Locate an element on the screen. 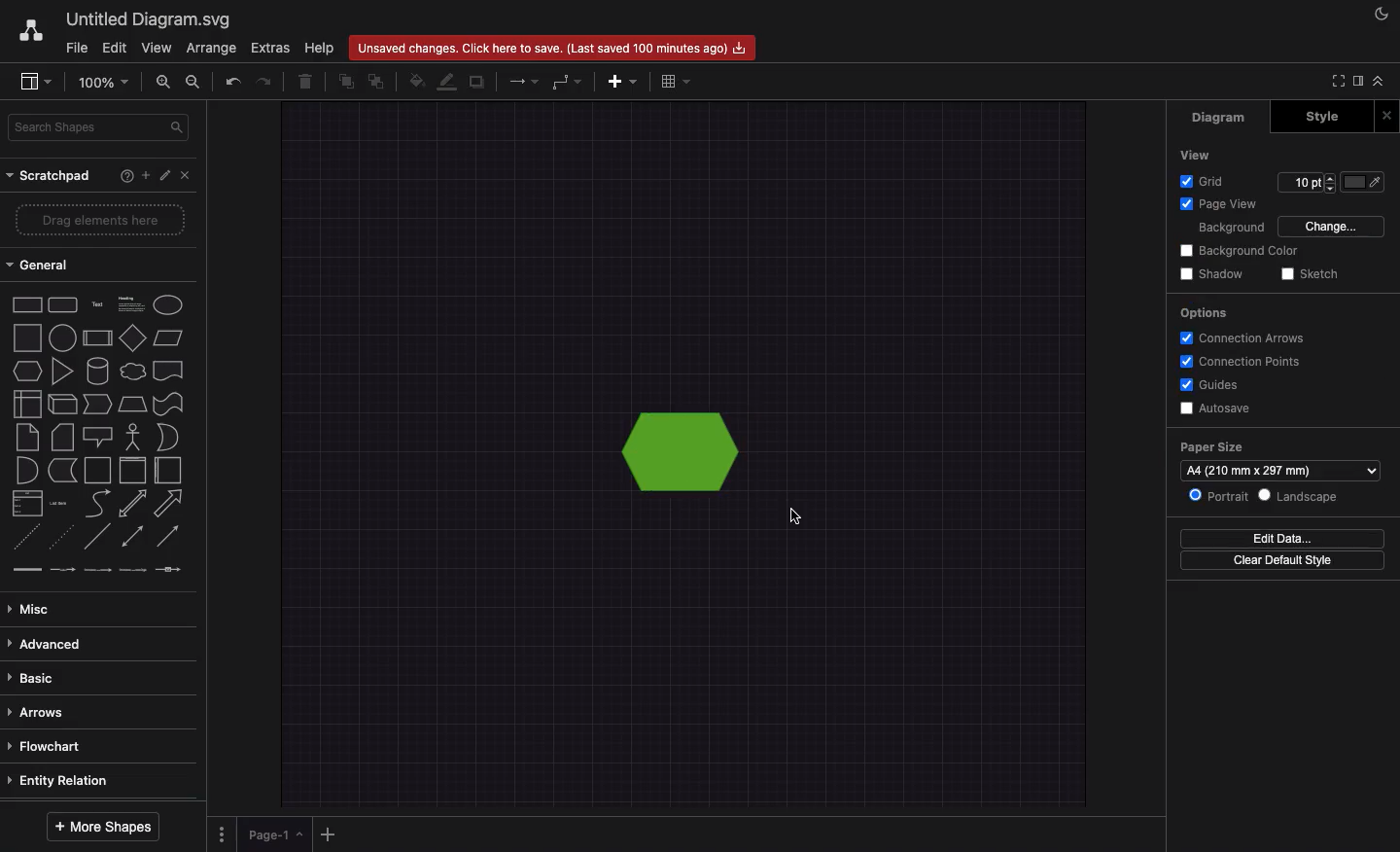  Flowchart is located at coordinates (48, 748).